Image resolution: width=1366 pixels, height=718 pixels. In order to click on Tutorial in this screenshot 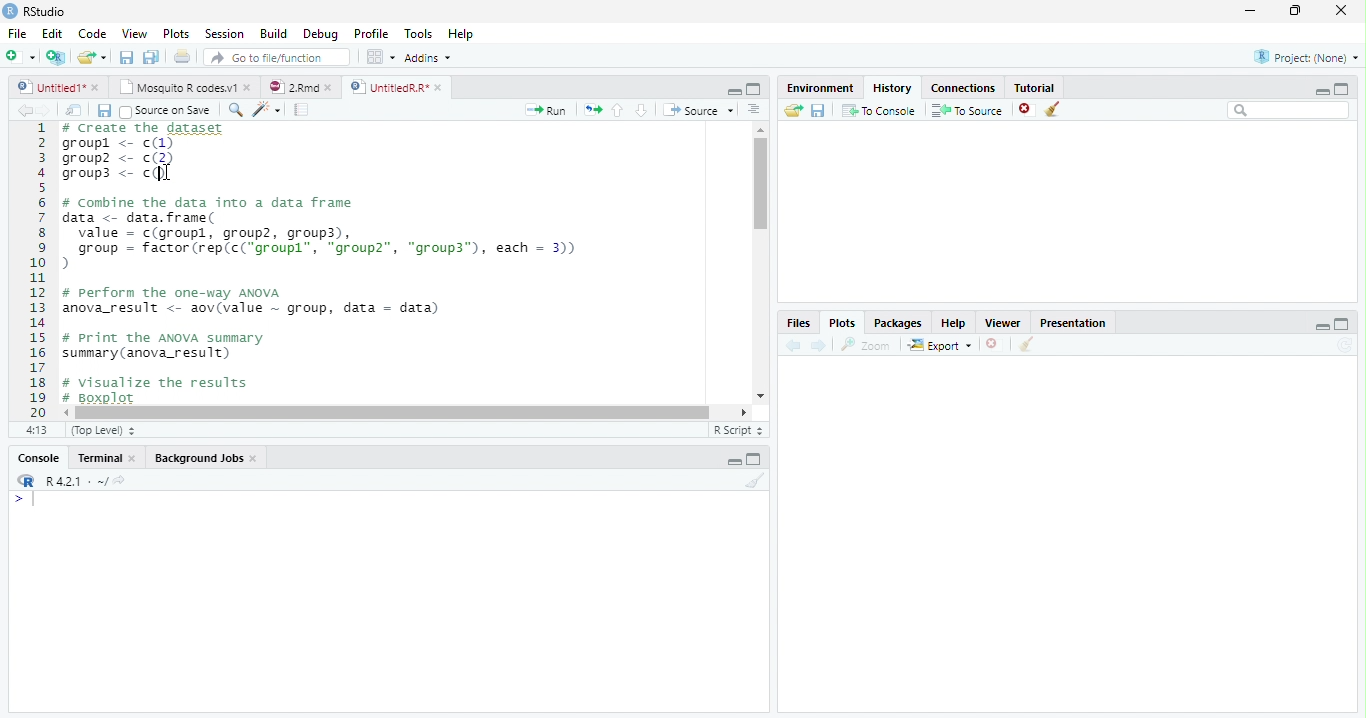, I will do `click(1036, 86)`.